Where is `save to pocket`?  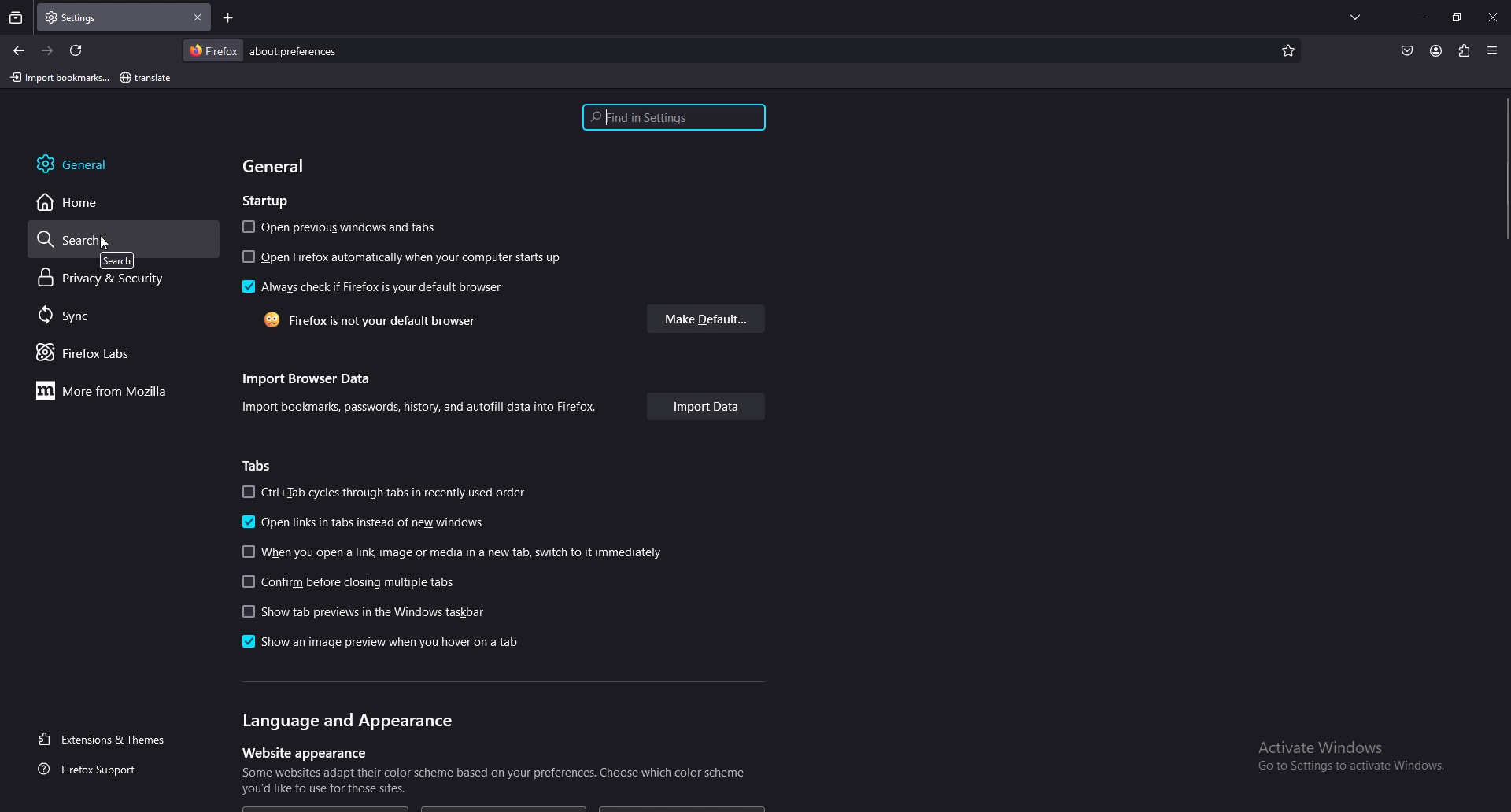 save to pocket is located at coordinates (1407, 51).